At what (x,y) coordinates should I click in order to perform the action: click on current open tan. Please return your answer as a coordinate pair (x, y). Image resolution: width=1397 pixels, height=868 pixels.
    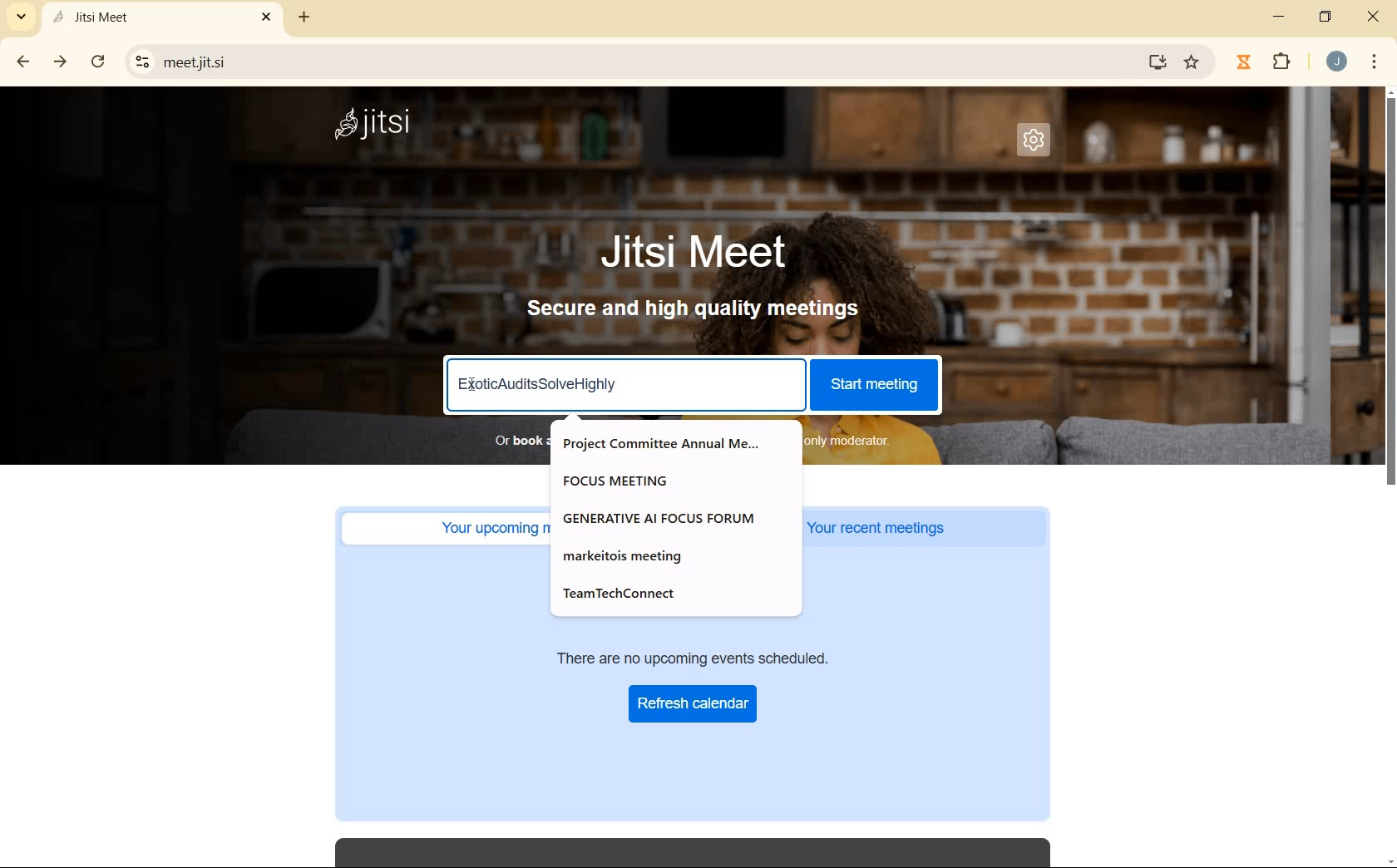
    Looking at the image, I should click on (165, 17).